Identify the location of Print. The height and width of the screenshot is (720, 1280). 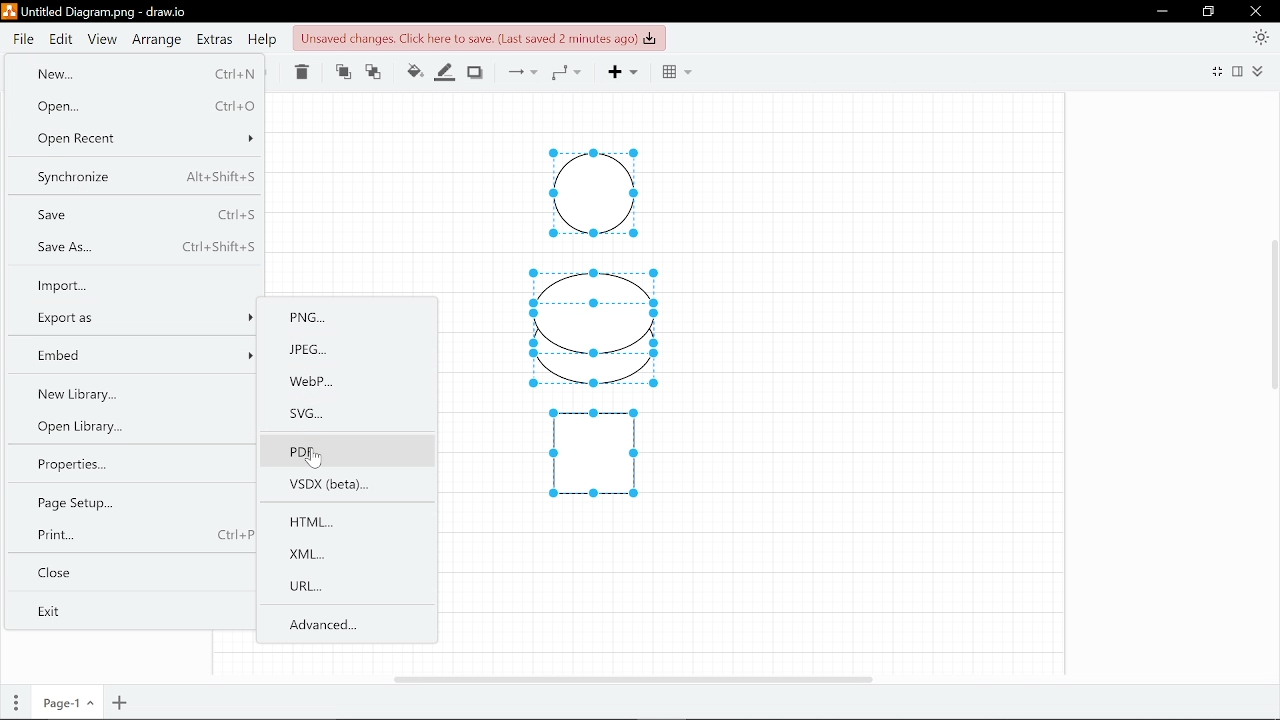
(134, 534).